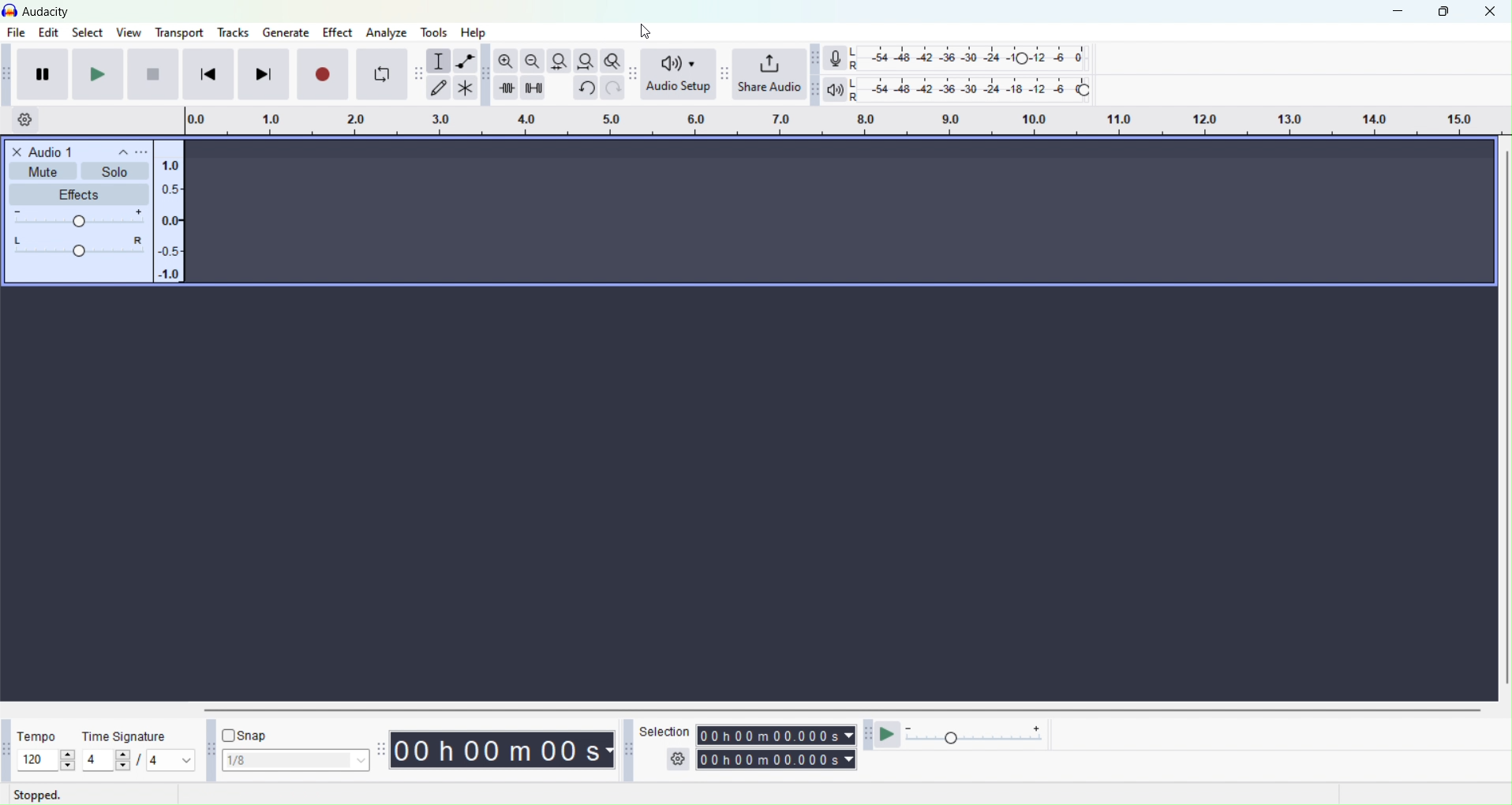 Image resolution: width=1512 pixels, height=805 pixels. I want to click on Skip to end, so click(267, 73).